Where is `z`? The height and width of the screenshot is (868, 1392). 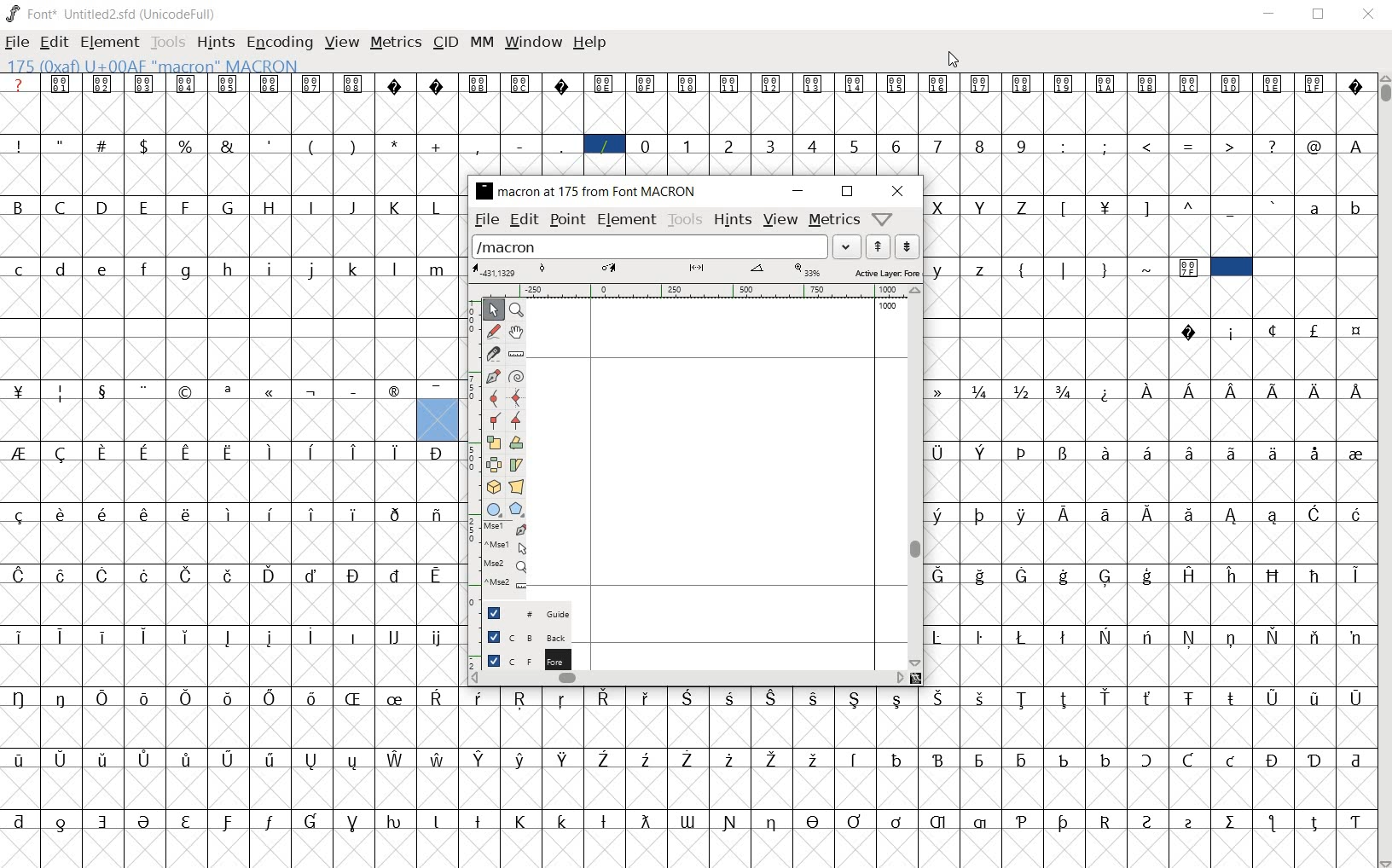 z is located at coordinates (981, 269).